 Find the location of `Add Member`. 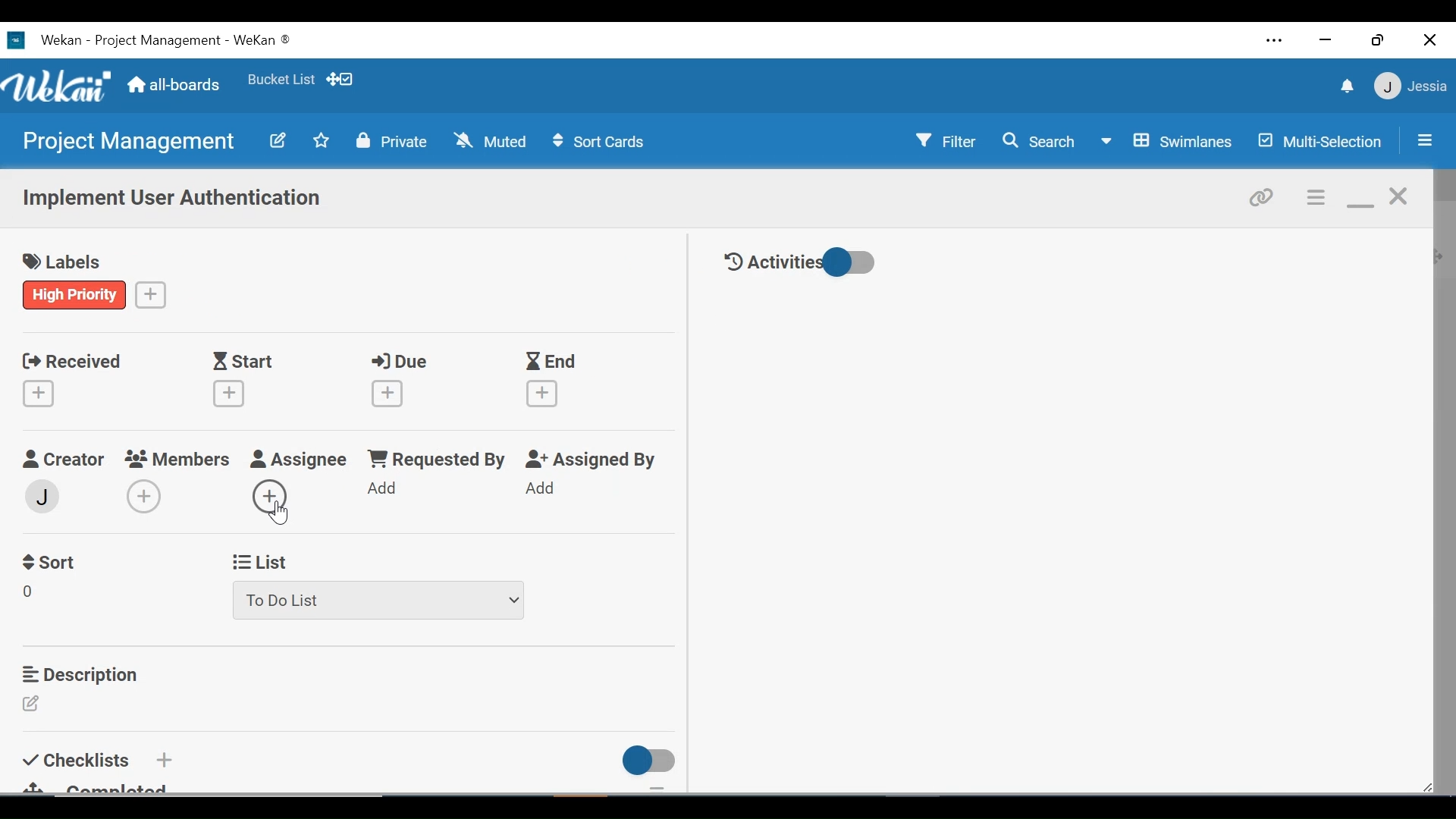

Add Member is located at coordinates (275, 494).